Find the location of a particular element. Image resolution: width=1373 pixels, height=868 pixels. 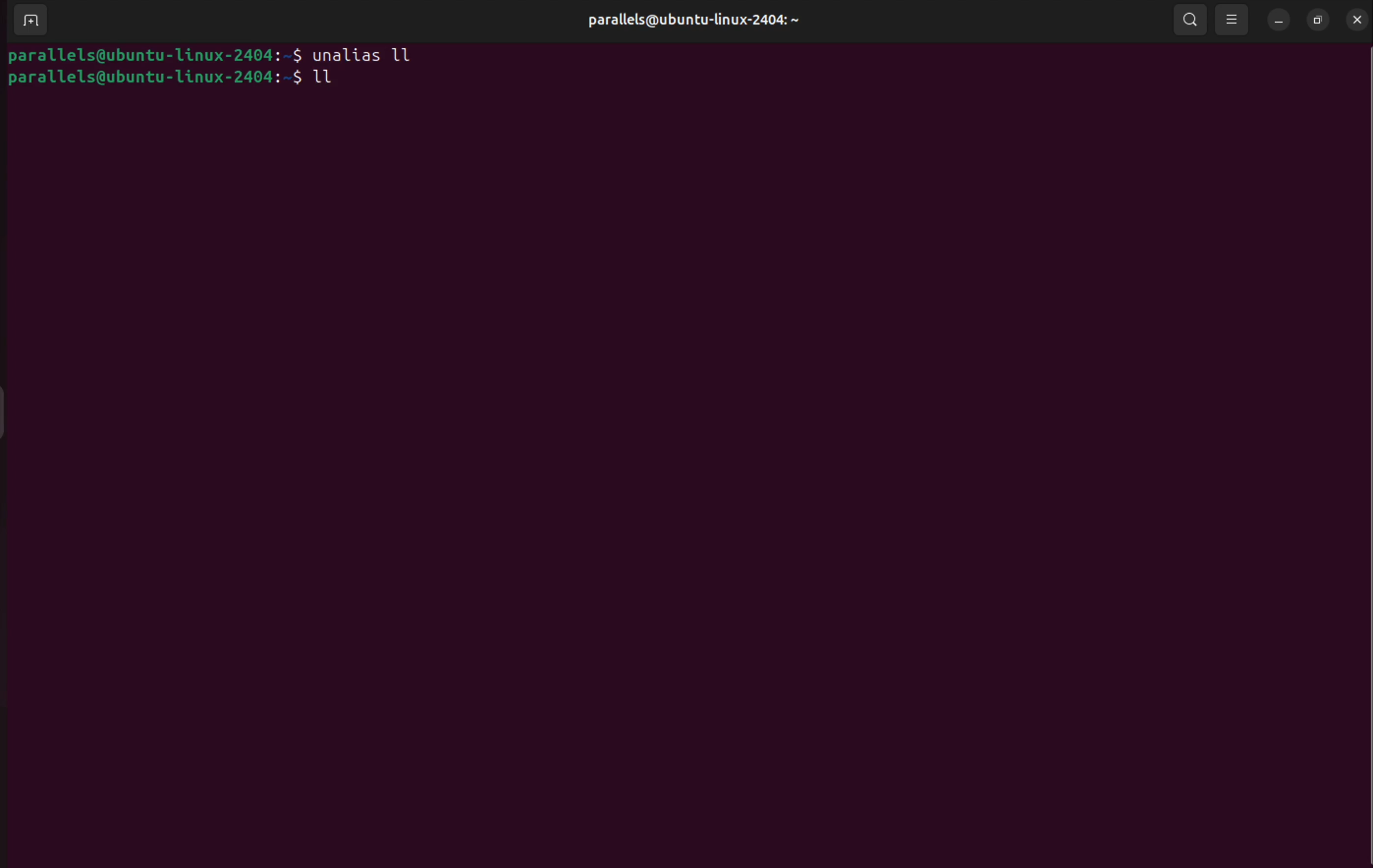

view option is located at coordinates (1233, 19).